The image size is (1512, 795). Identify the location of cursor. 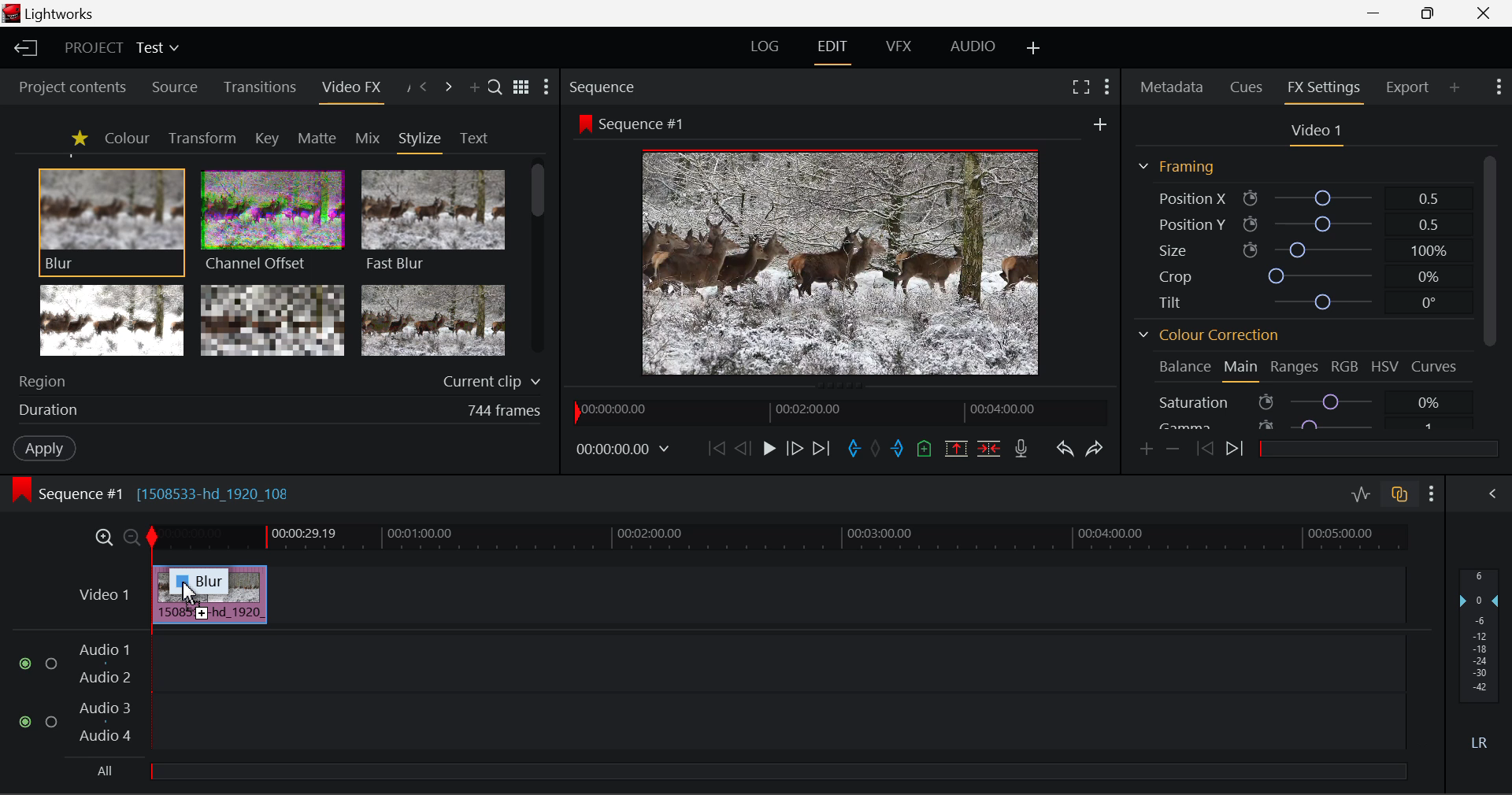
(189, 592).